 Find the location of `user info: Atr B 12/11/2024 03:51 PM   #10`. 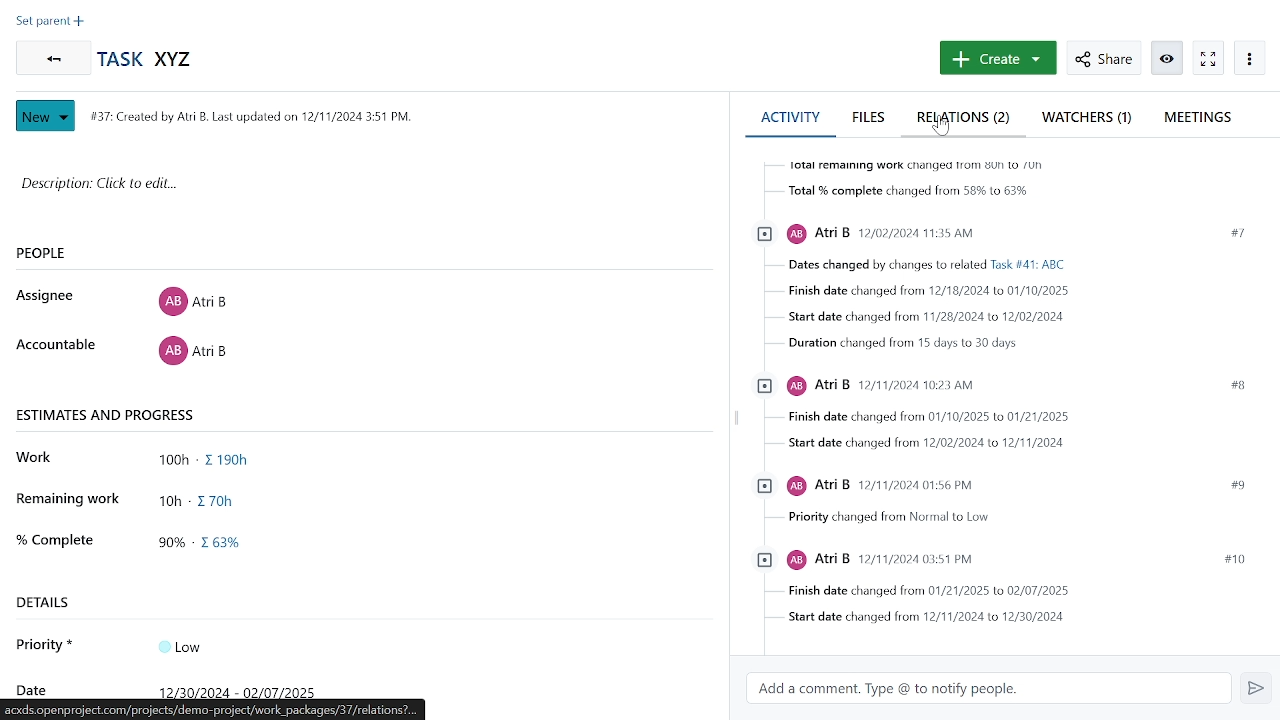

user info: Atr B 12/11/2024 03:51 PM   #10 is located at coordinates (997, 561).